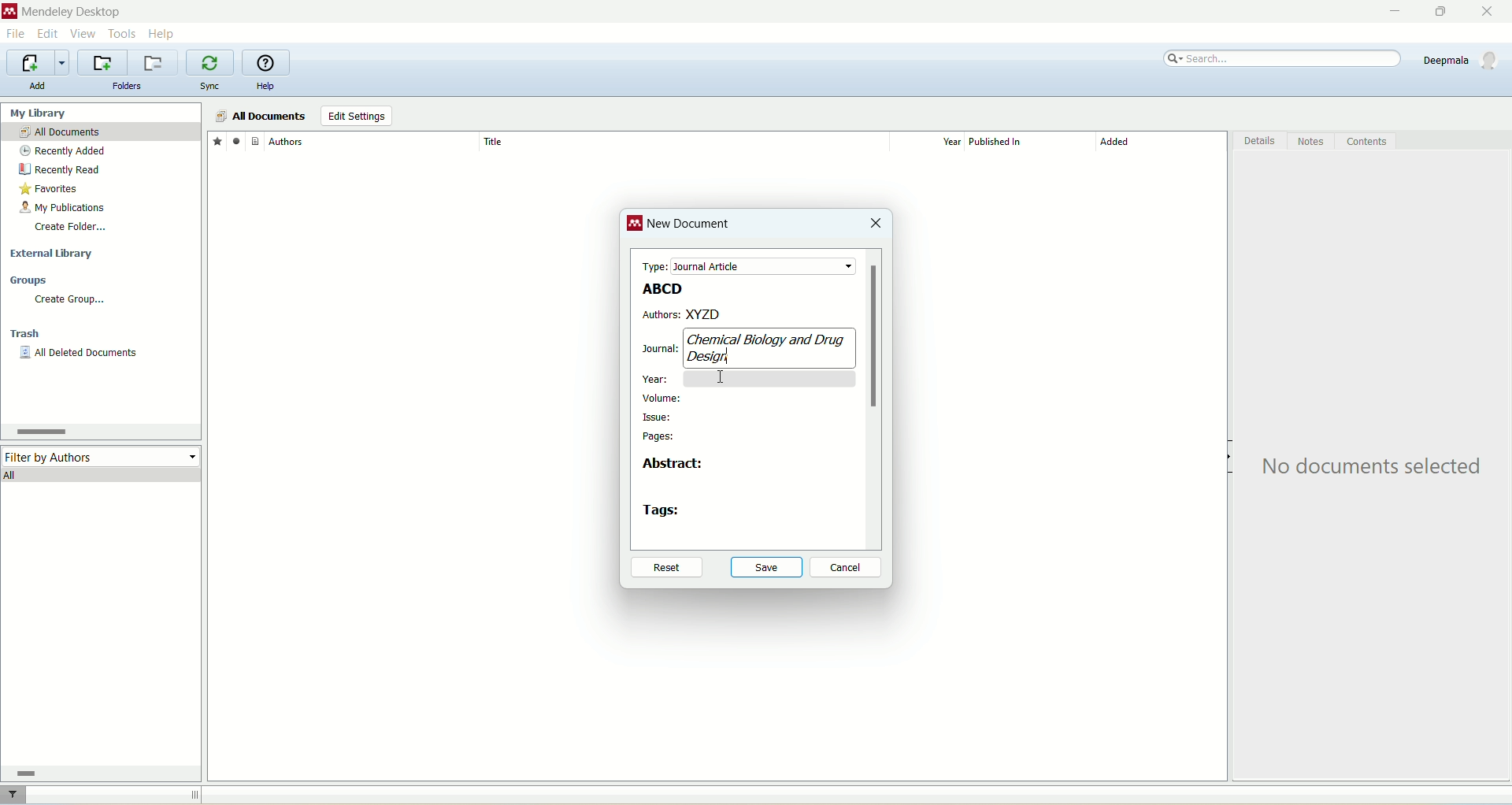 This screenshot has height=805, width=1512. I want to click on groups, so click(30, 281).